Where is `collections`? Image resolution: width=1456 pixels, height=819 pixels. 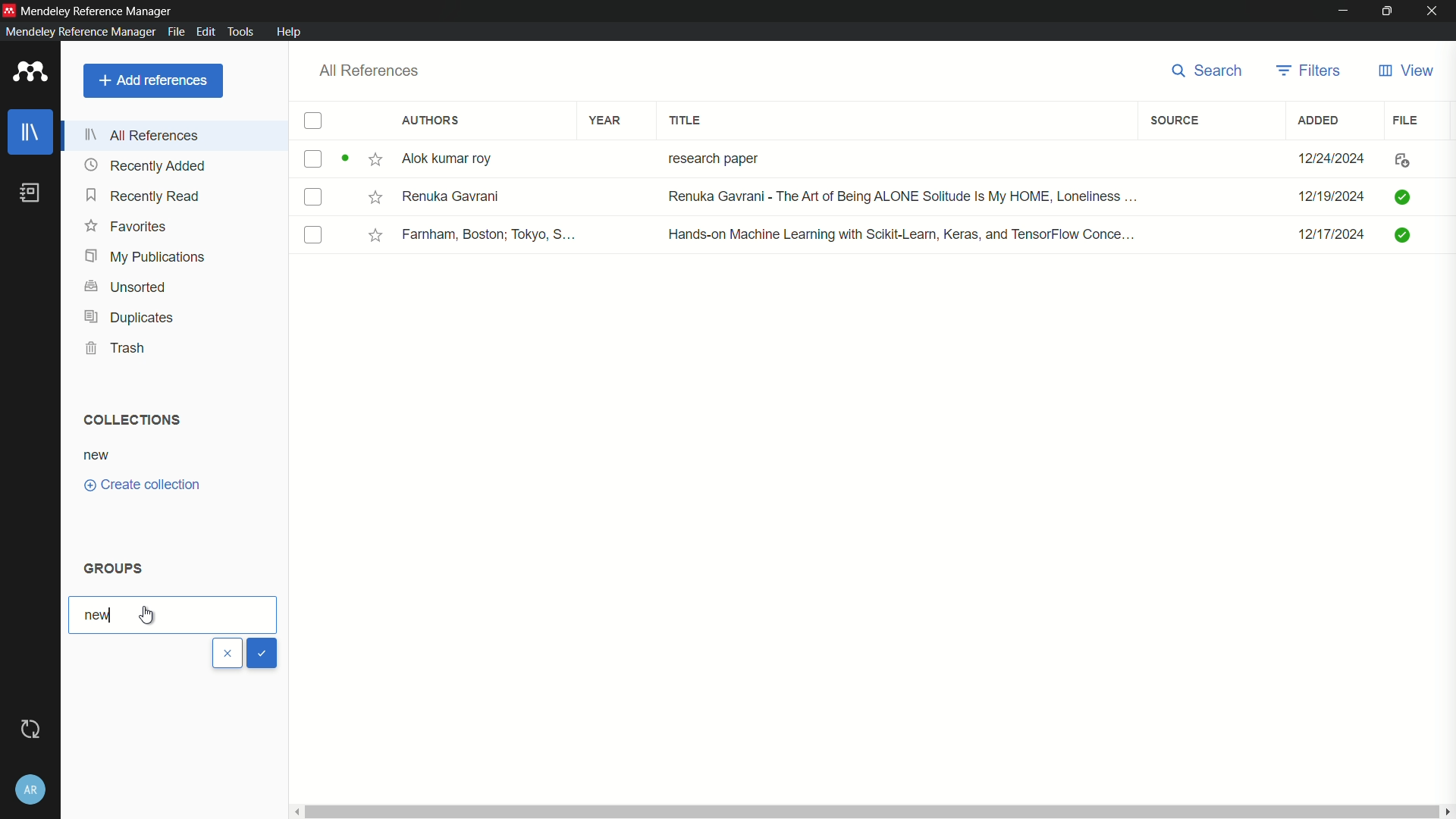
collections is located at coordinates (128, 419).